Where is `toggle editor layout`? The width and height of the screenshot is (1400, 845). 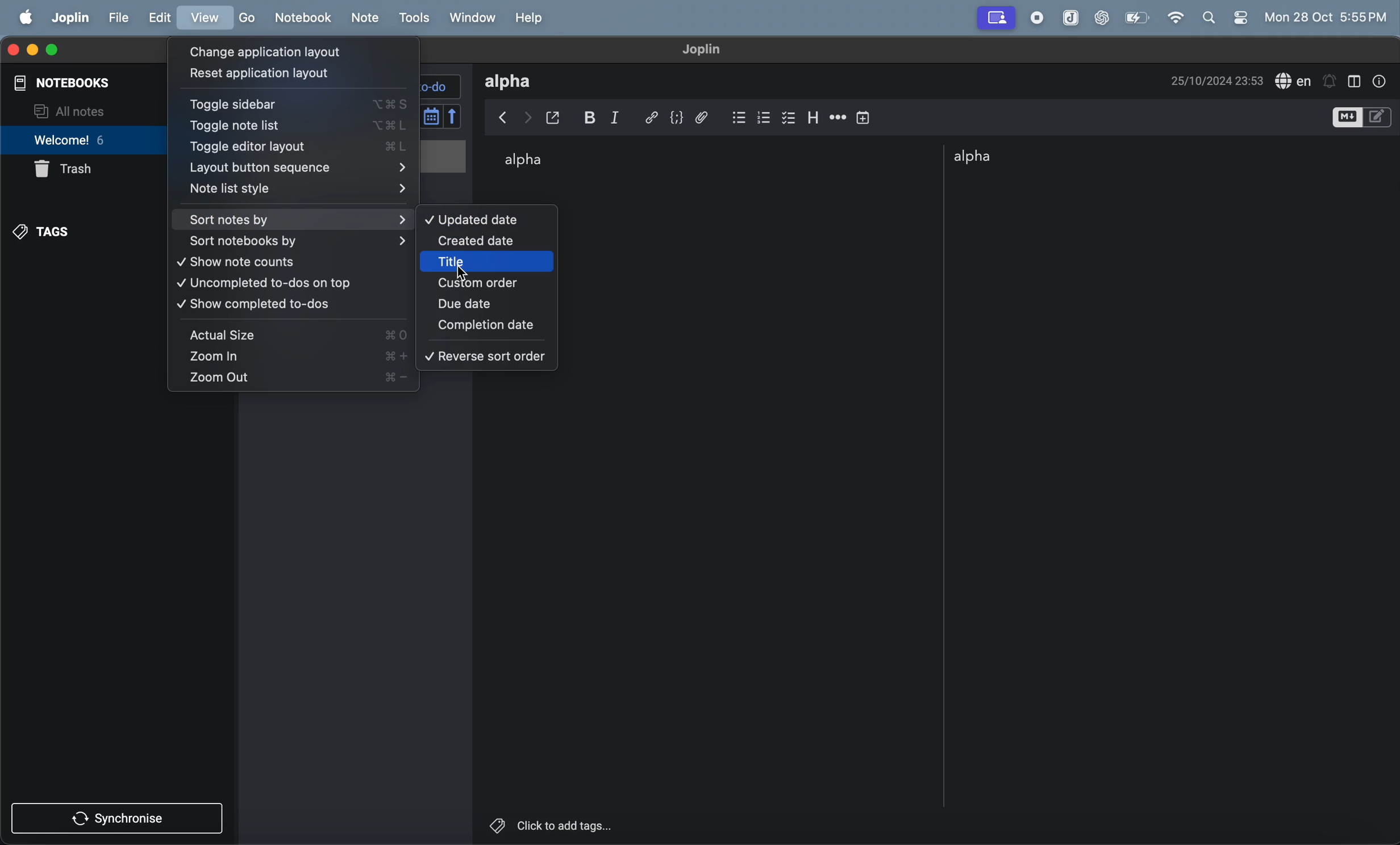
toggle editor layout is located at coordinates (1356, 80).